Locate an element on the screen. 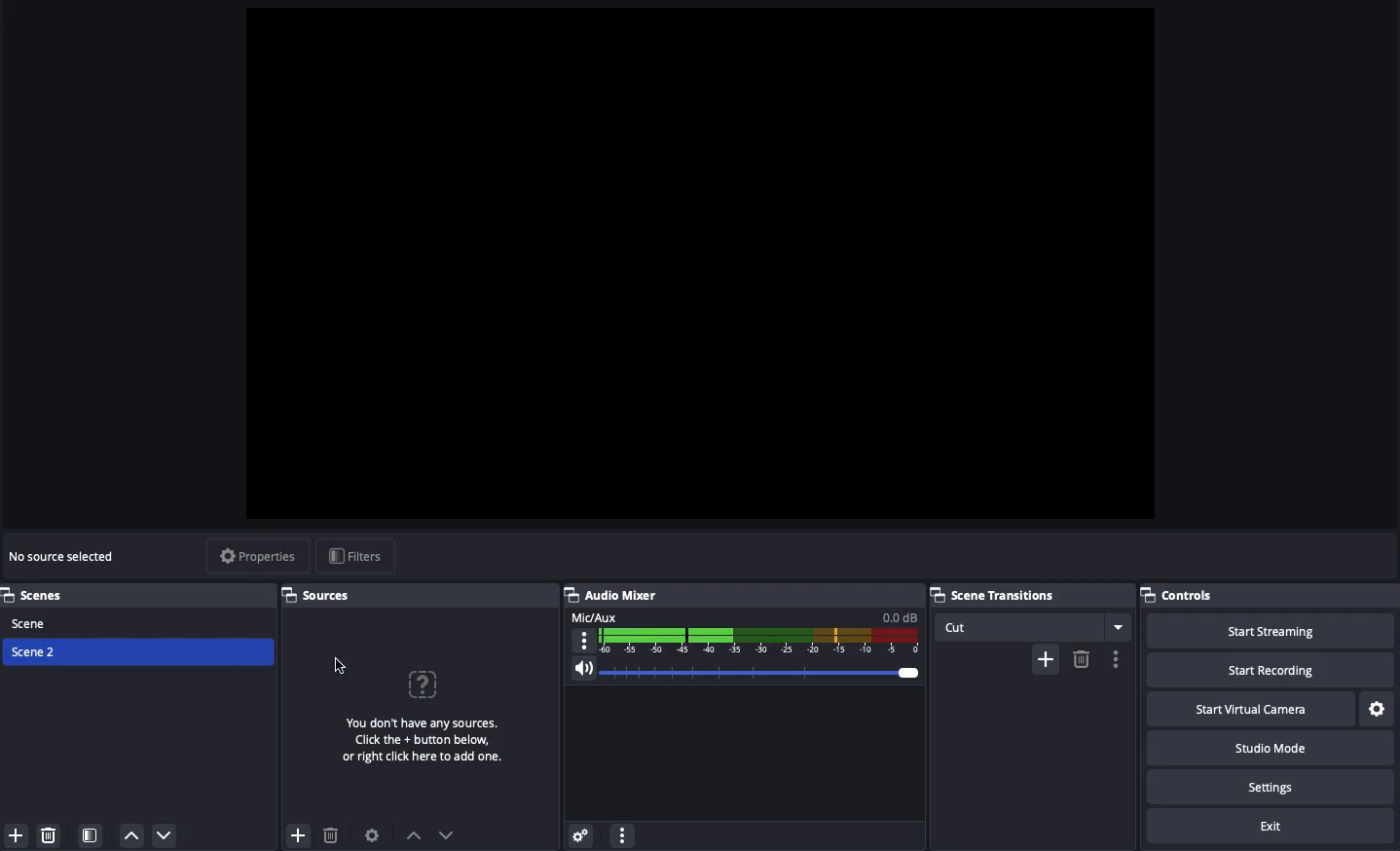 This screenshot has width=1400, height=851. Volume is located at coordinates (747, 669).